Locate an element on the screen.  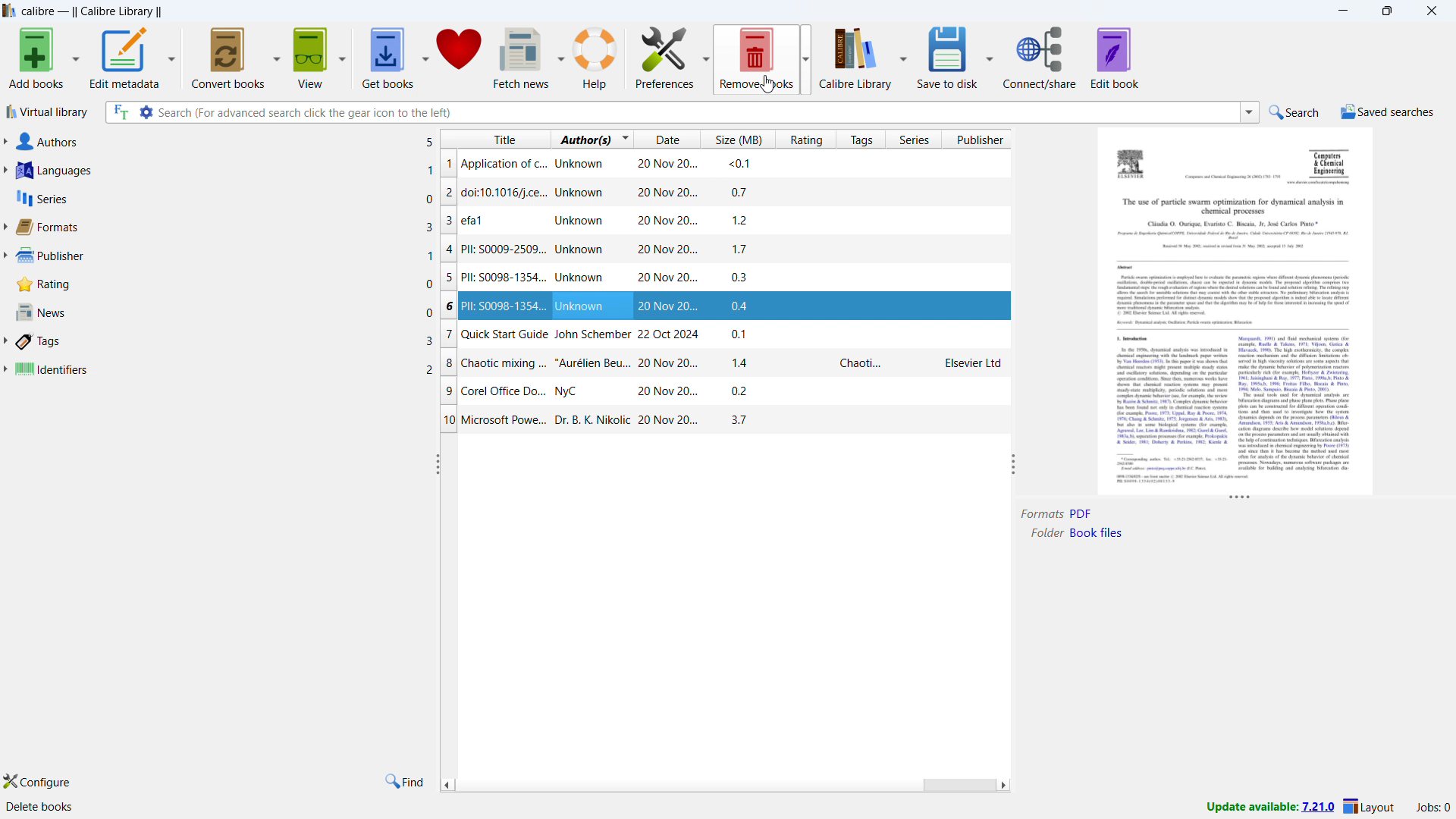
convert books is located at coordinates (230, 56).